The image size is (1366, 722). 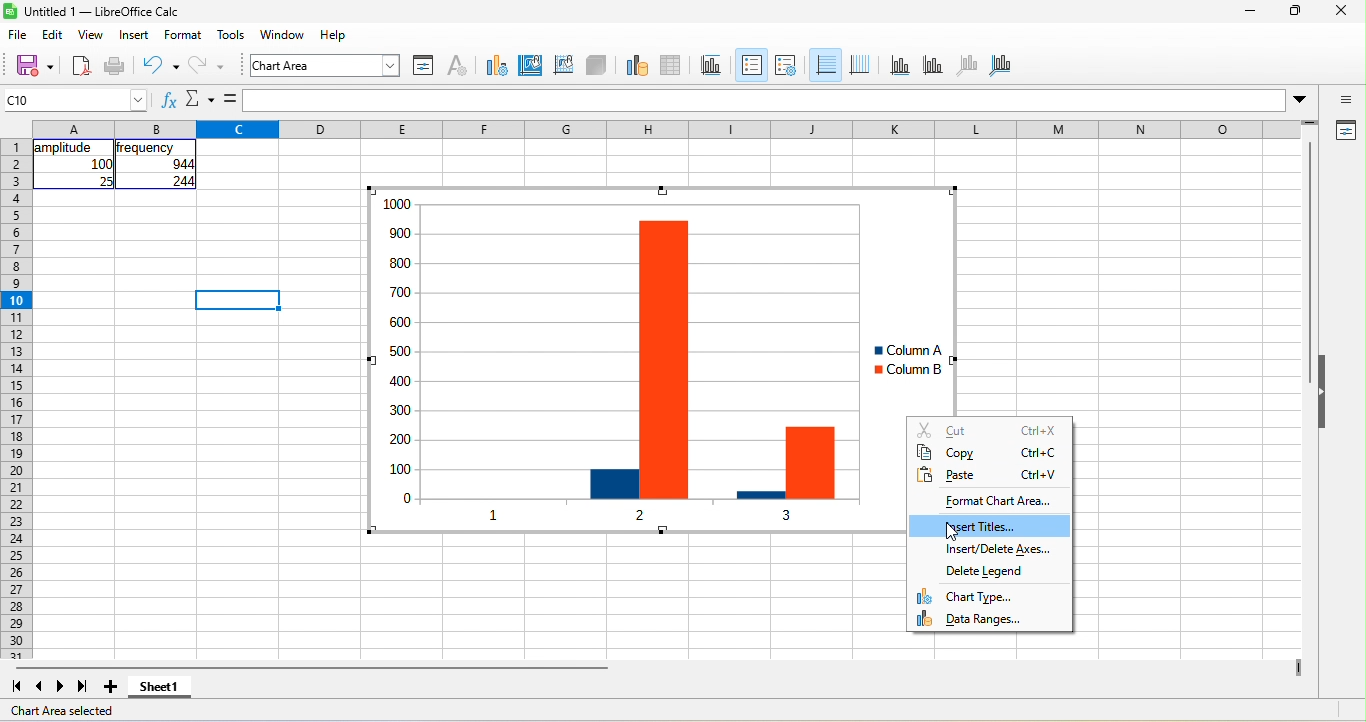 What do you see at coordinates (115, 67) in the screenshot?
I see `print` at bounding box center [115, 67].